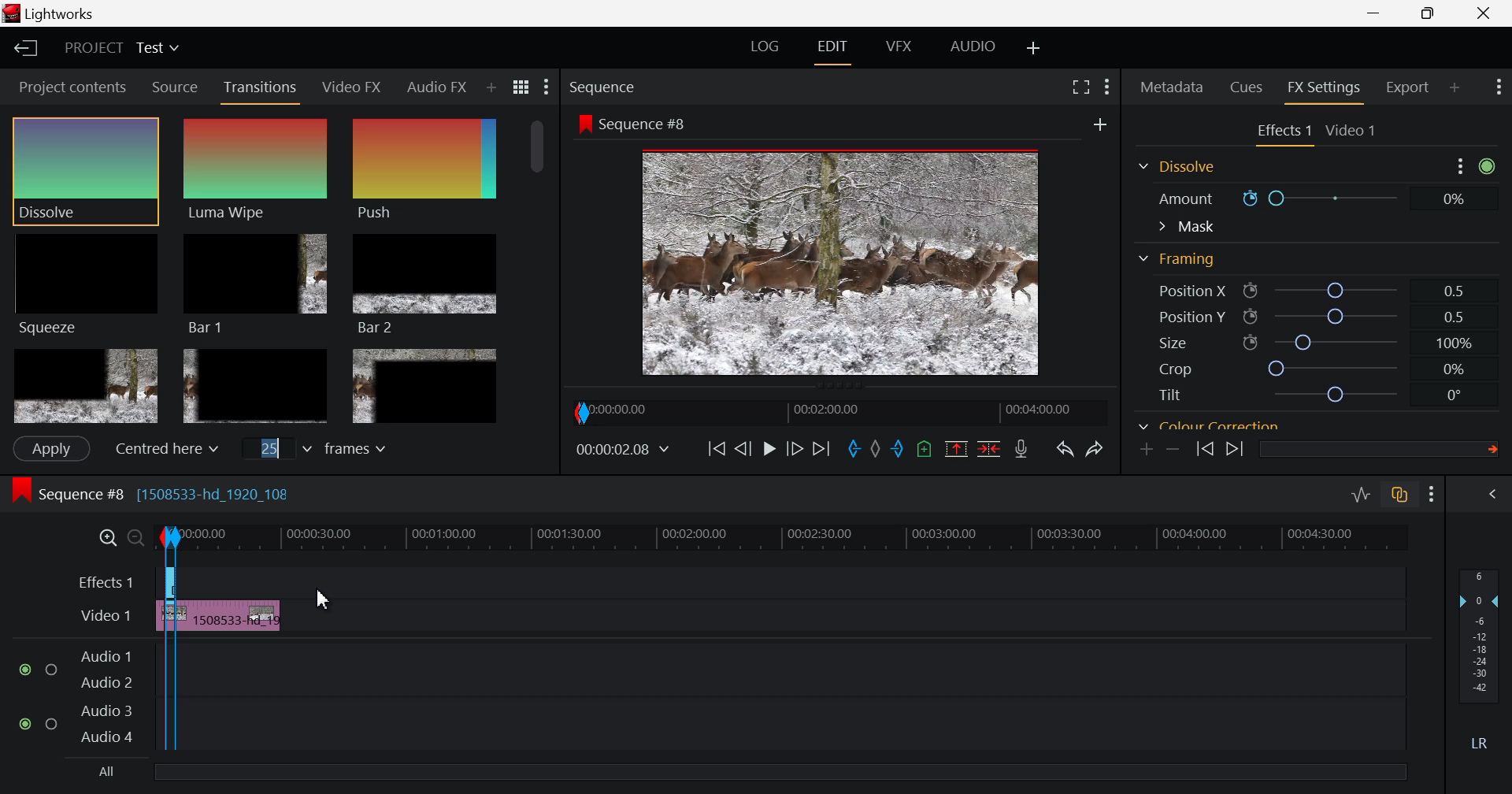 The image size is (1512, 794). I want to click on Apply, so click(50, 448).